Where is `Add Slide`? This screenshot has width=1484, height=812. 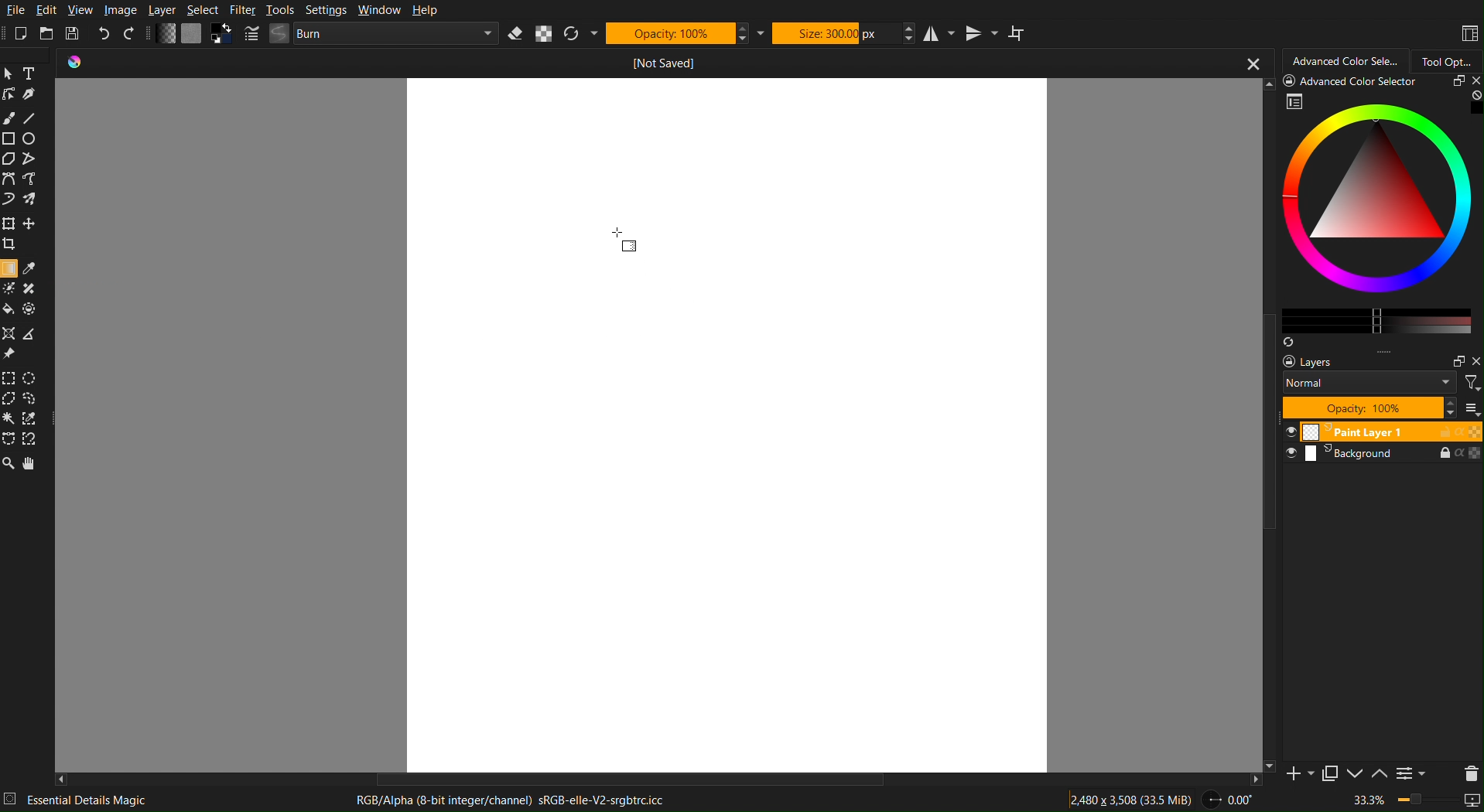 Add Slide is located at coordinates (1298, 773).